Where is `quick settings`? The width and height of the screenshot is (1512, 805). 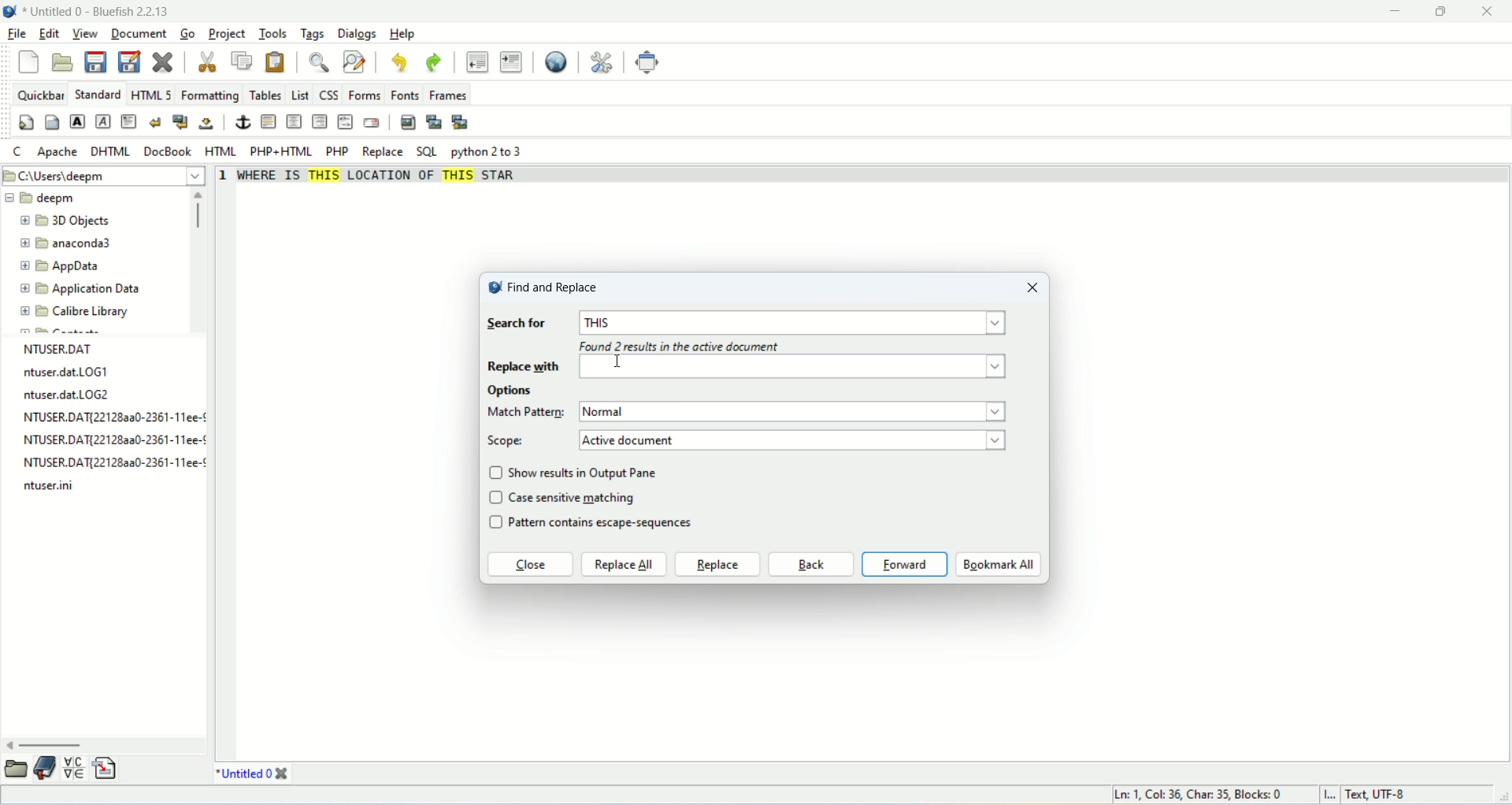
quick settings is located at coordinates (26, 123).